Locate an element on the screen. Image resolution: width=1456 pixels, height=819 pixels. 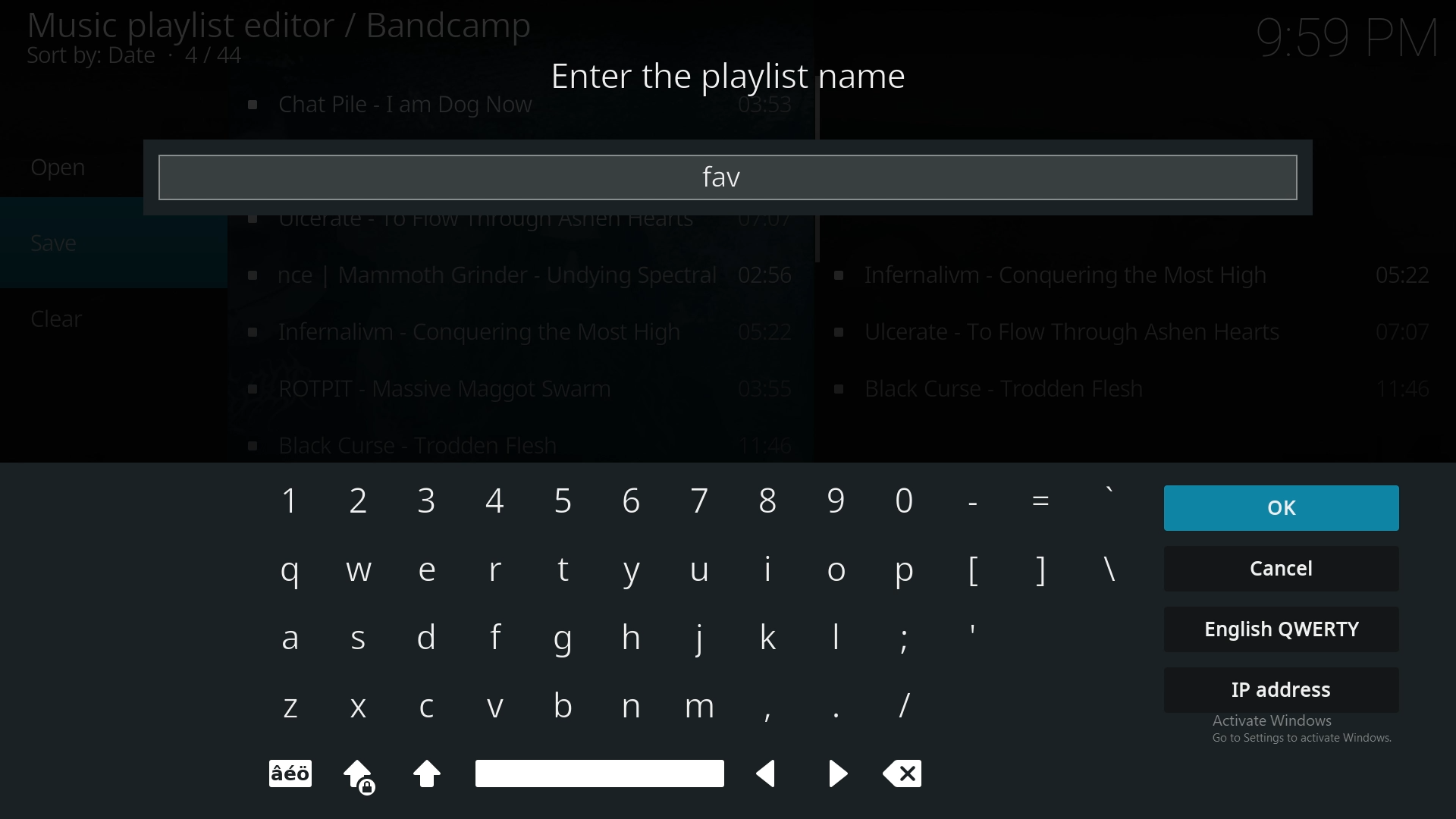
keyboard input is located at coordinates (444, 711).